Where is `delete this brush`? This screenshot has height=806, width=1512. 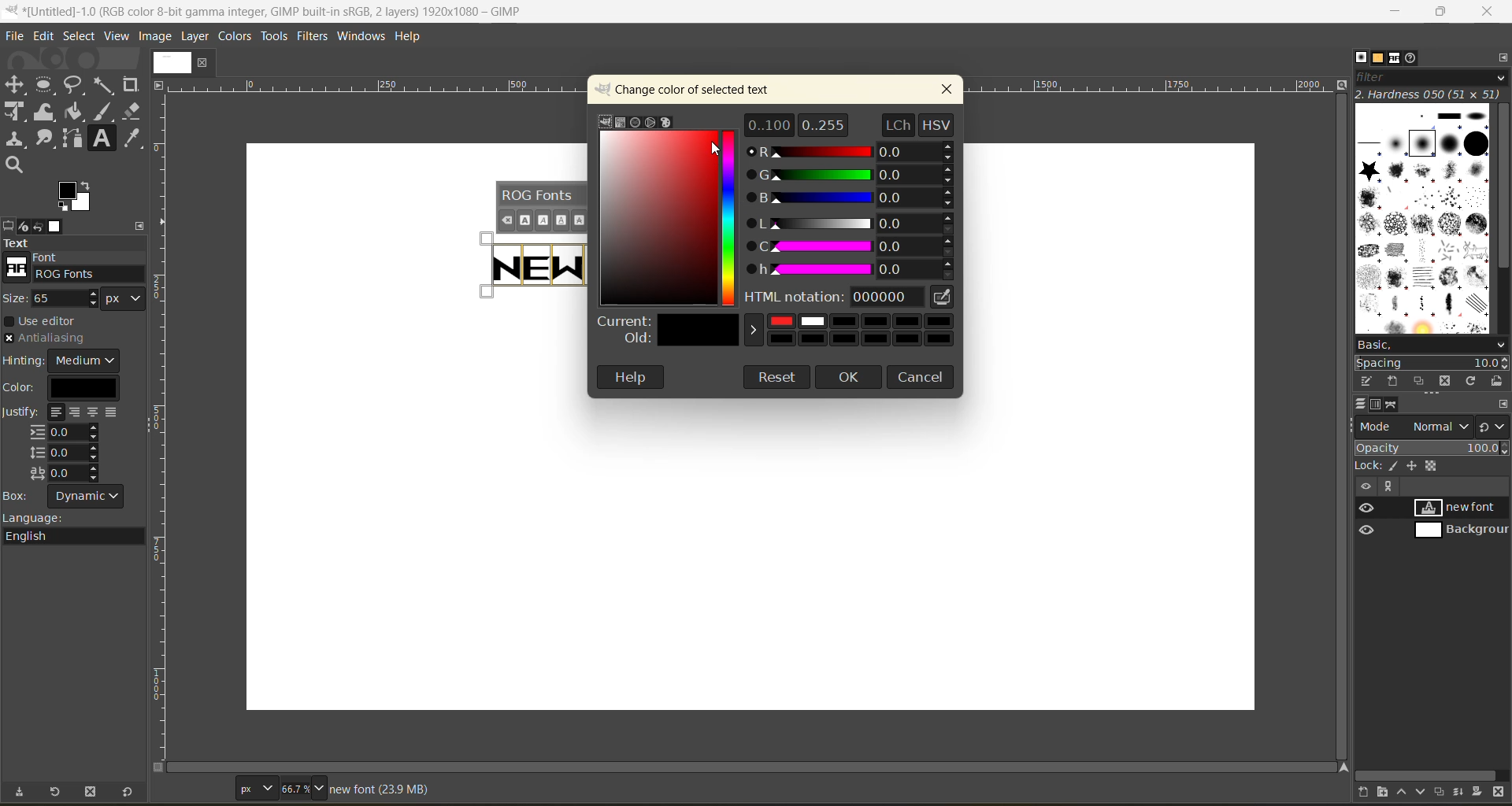
delete this brush is located at coordinates (1448, 379).